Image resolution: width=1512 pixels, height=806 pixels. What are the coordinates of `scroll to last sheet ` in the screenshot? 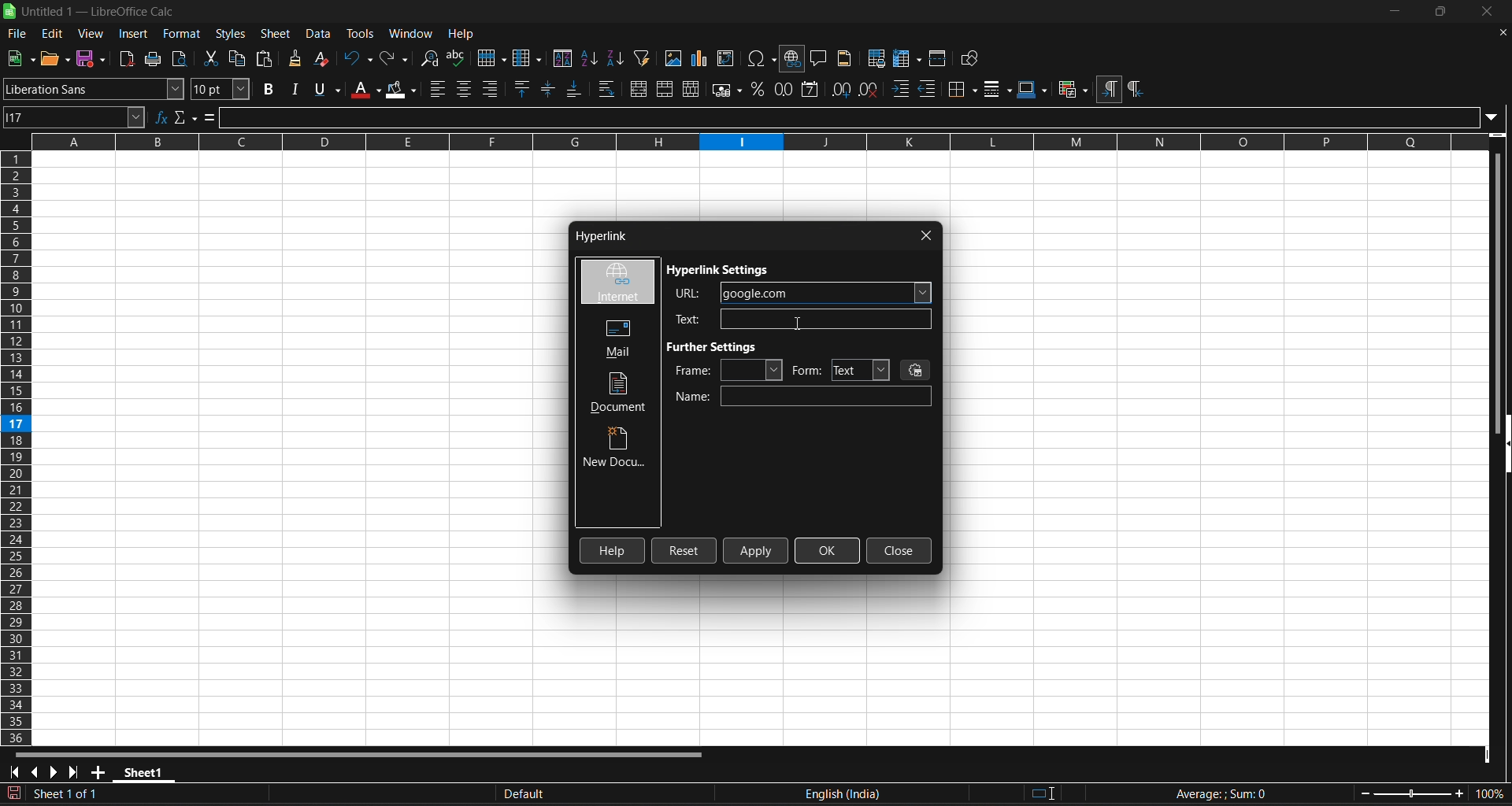 It's located at (73, 773).